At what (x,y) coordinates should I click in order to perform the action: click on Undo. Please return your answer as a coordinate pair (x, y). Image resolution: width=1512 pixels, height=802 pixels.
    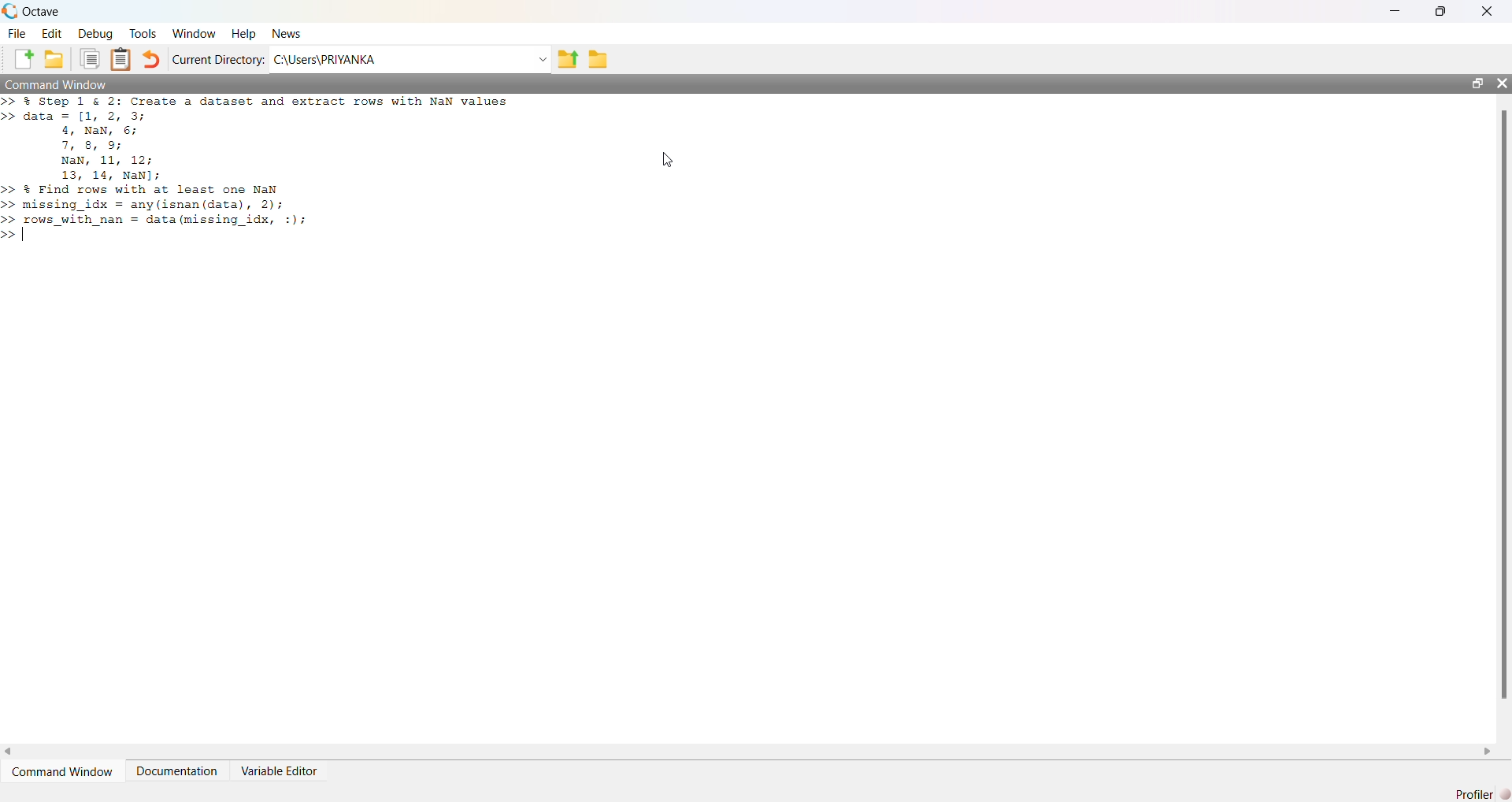
    Looking at the image, I should click on (150, 59).